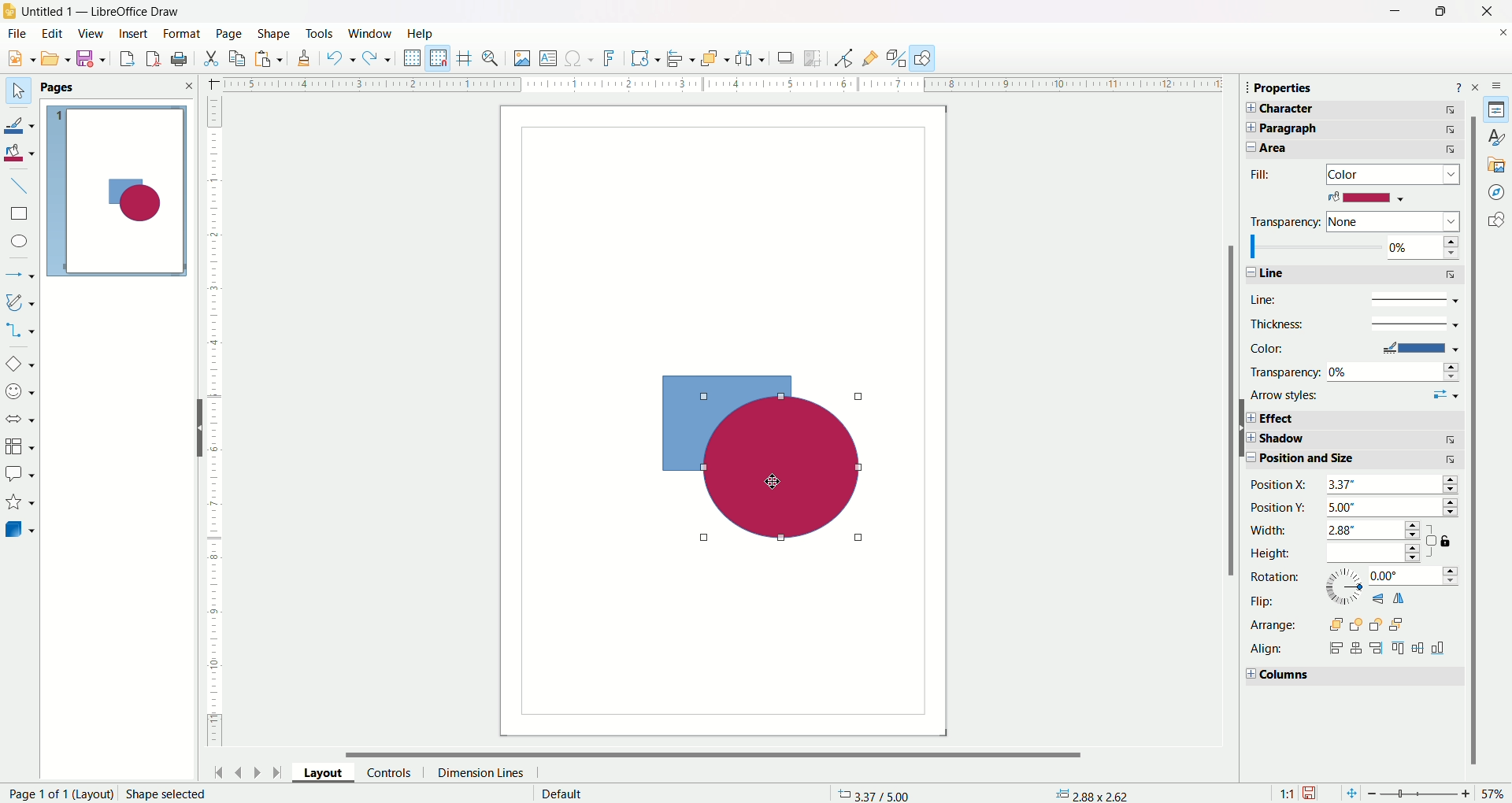  Describe the element at coordinates (1492, 136) in the screenshot. I see `style` at that location.